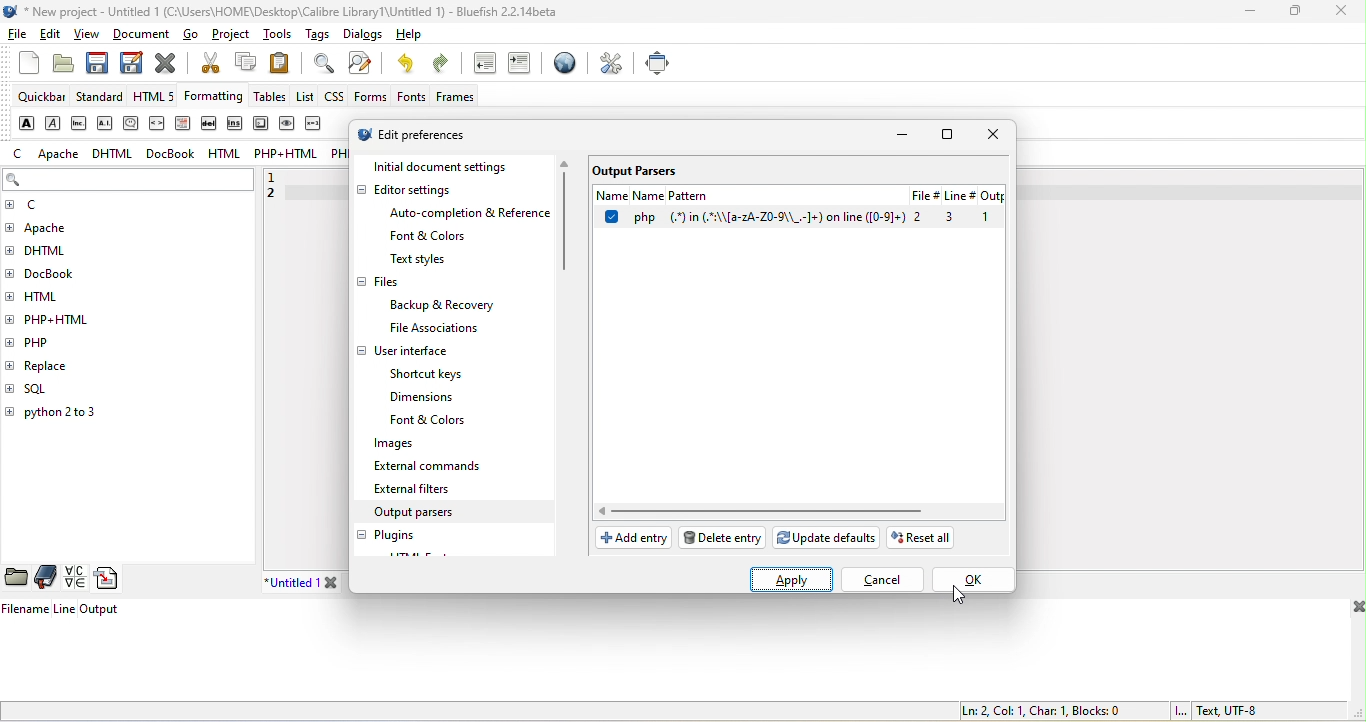 This screenshot has height=722, width=1366. What do you see at coordinates (217, 97) in the screenshot?
I see `formatting` at bounding box center [217, 97].